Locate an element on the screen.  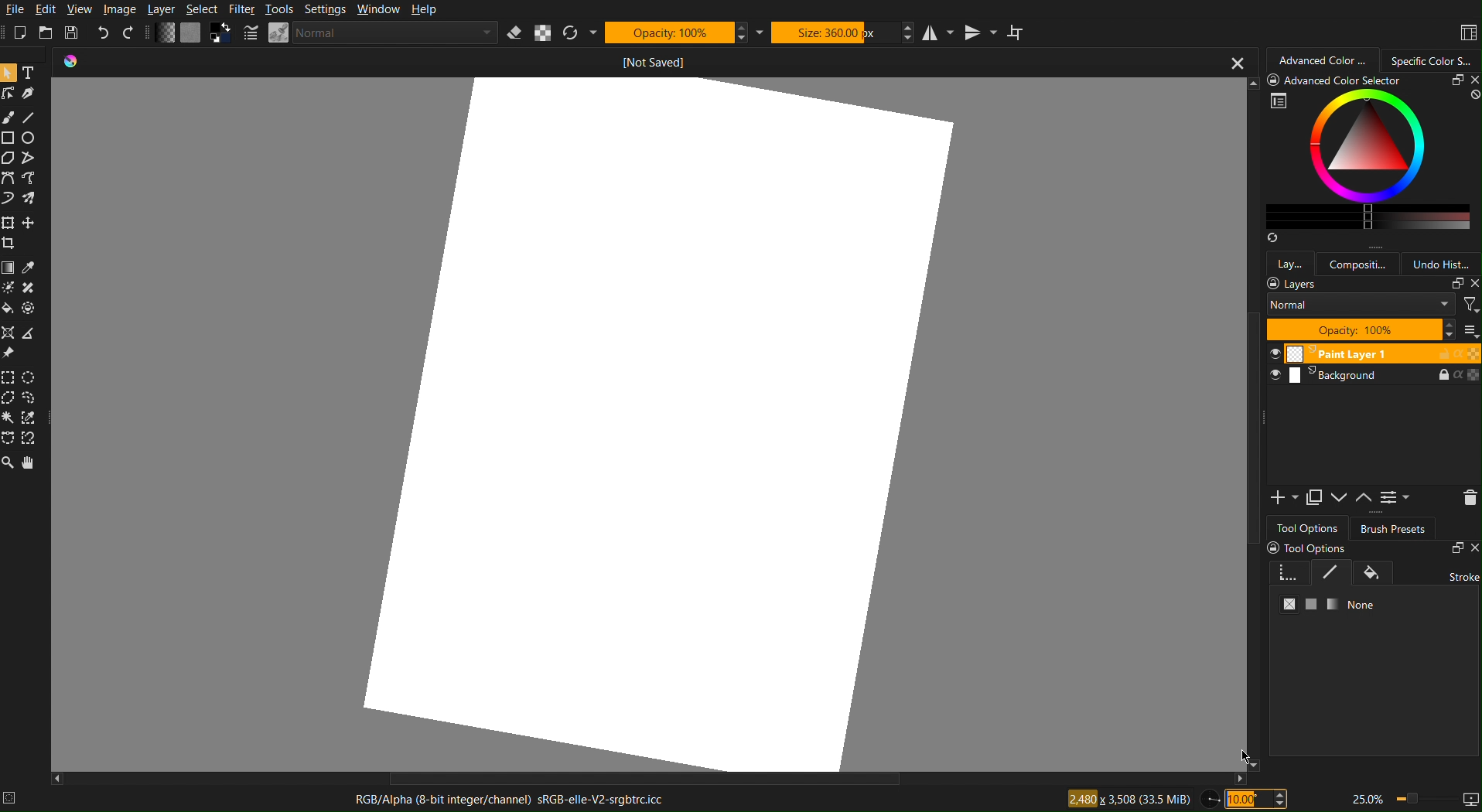
Path Selection Tool is located at coordinates (32, 157).